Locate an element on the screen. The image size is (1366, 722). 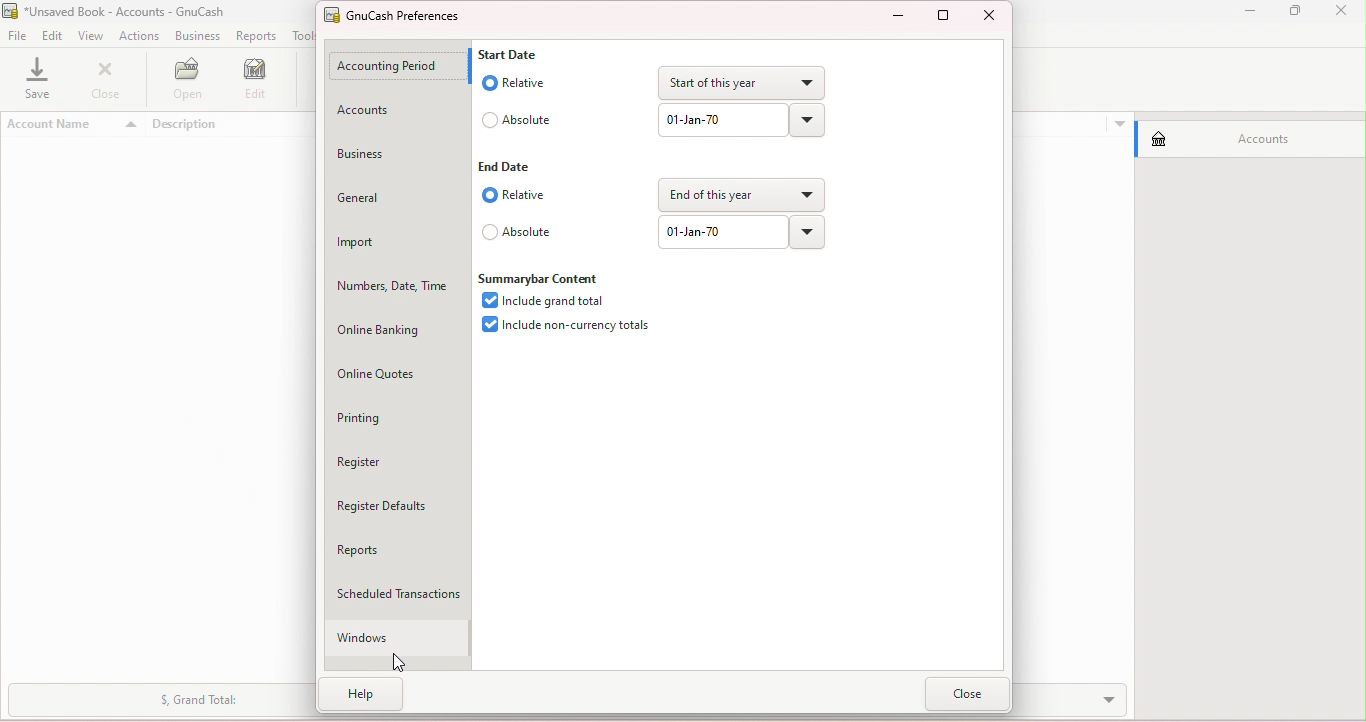
Accounts is located at coordinates (387, 110).